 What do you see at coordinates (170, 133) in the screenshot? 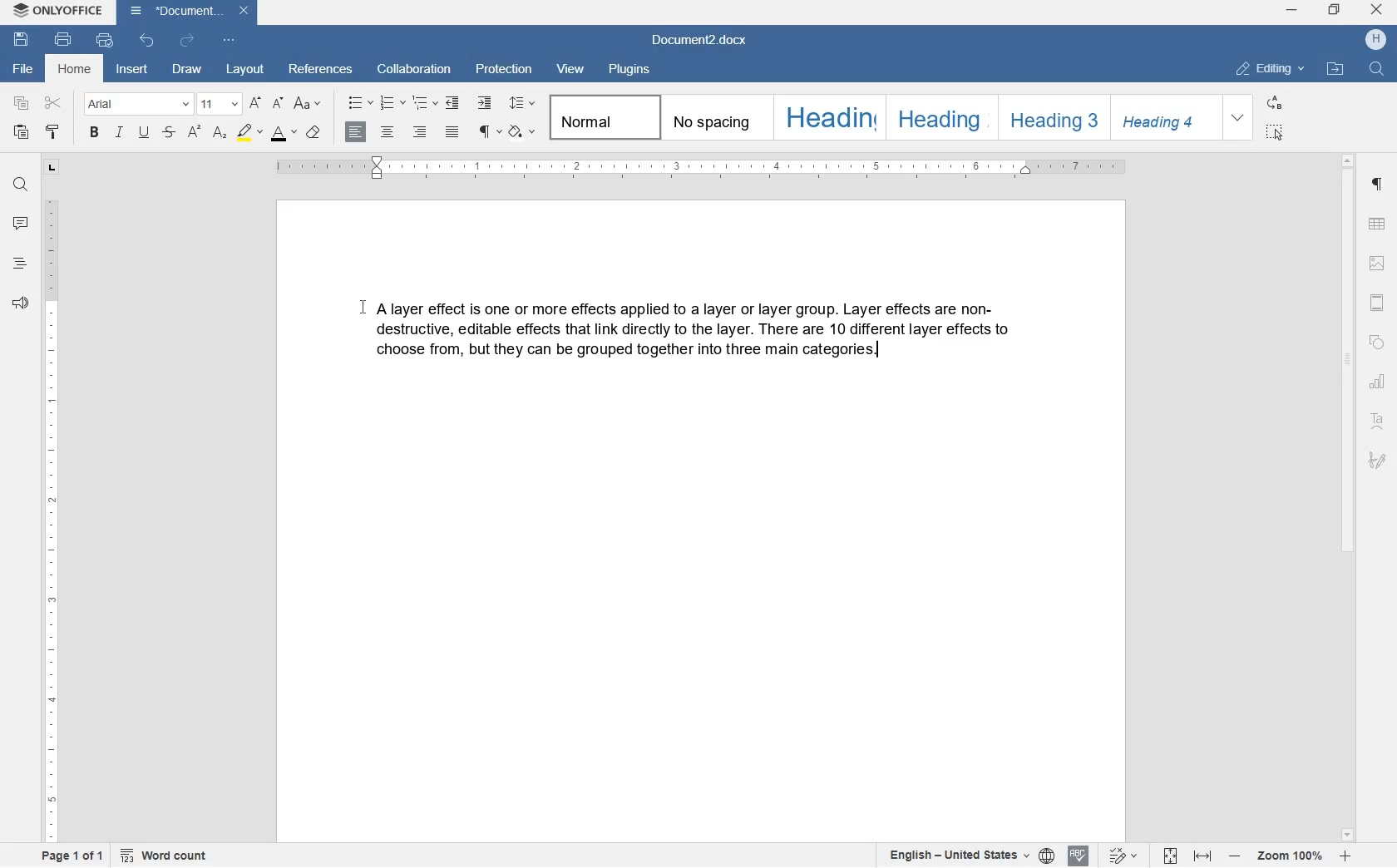
I see `strikethrough` at bounding box center [170, 133].